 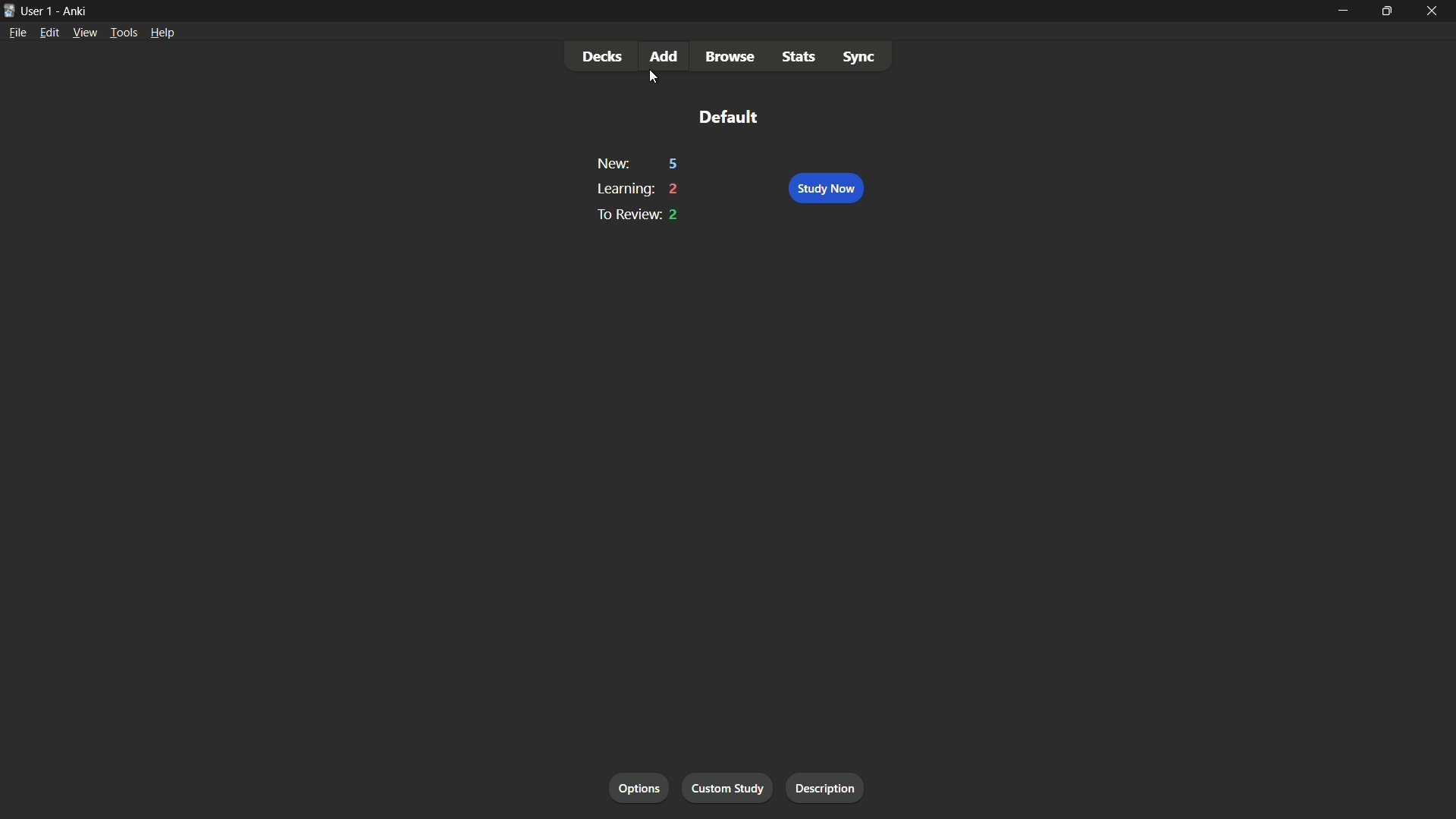 I want to click on app icon, so click(x=9, y=9).